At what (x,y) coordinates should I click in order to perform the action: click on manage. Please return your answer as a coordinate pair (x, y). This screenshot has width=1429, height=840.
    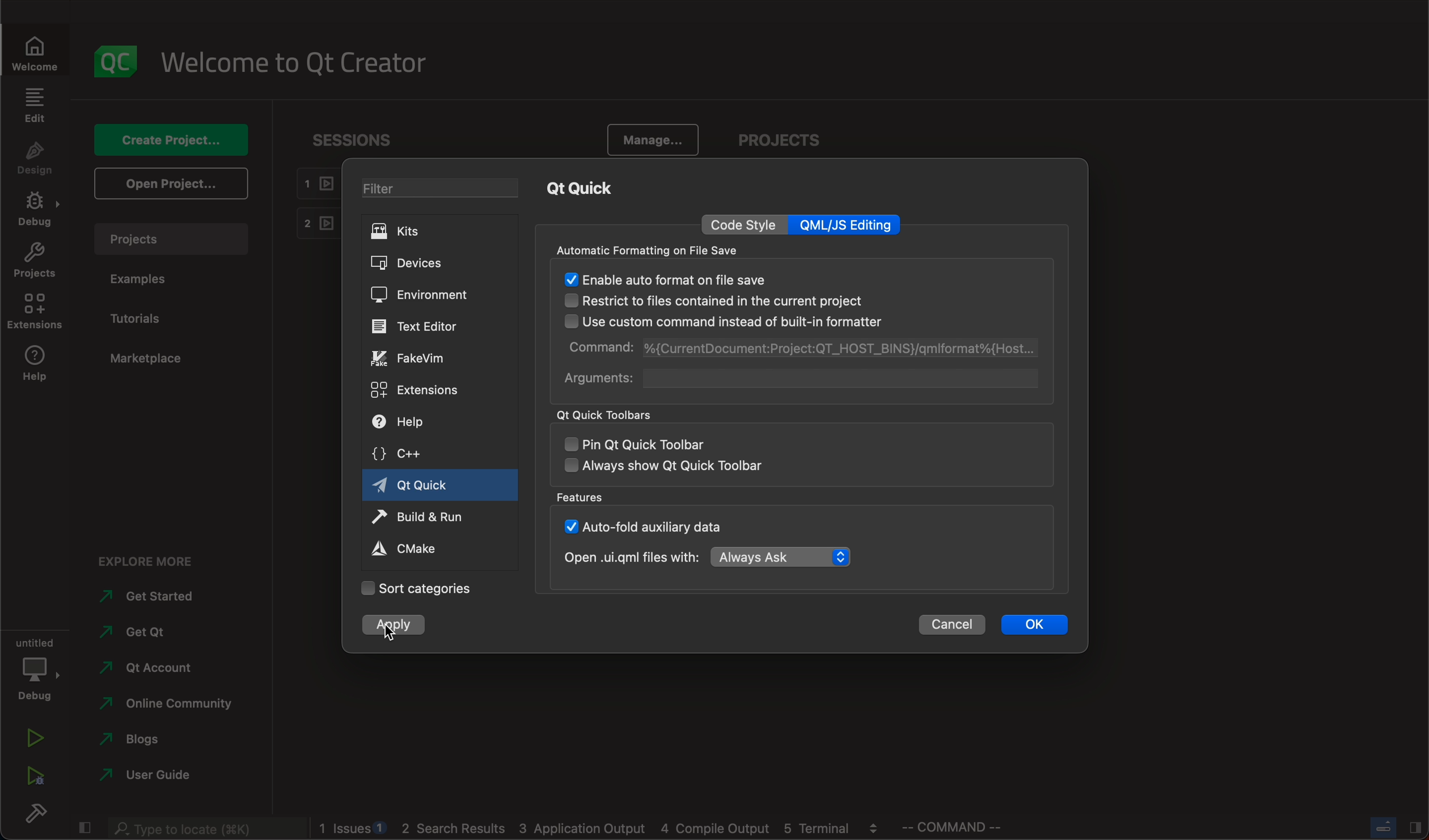
    Looking at the image, I should click on (653, 138).